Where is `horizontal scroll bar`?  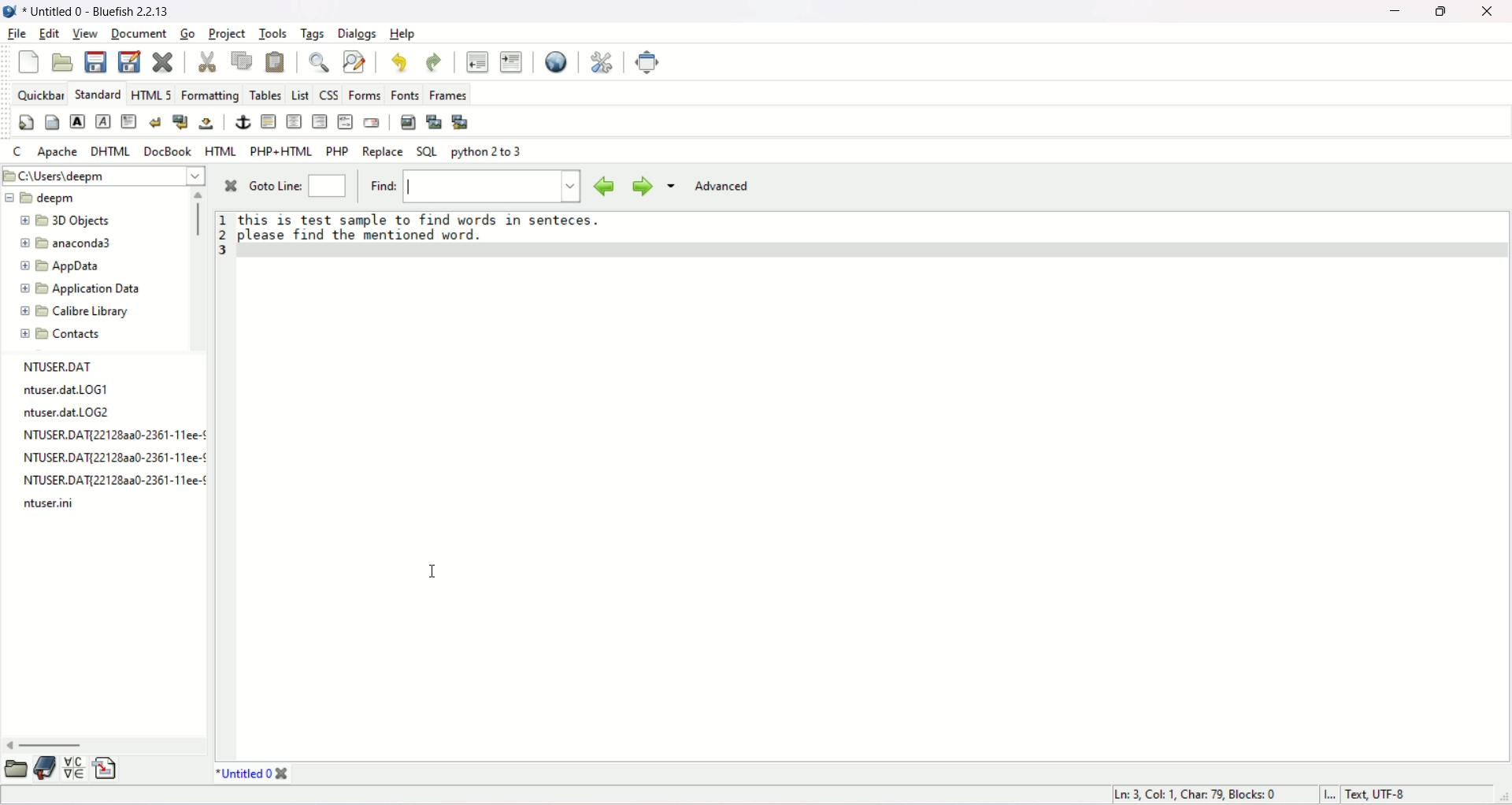 horizontal scroll bar is located at coordinates (45, 744).